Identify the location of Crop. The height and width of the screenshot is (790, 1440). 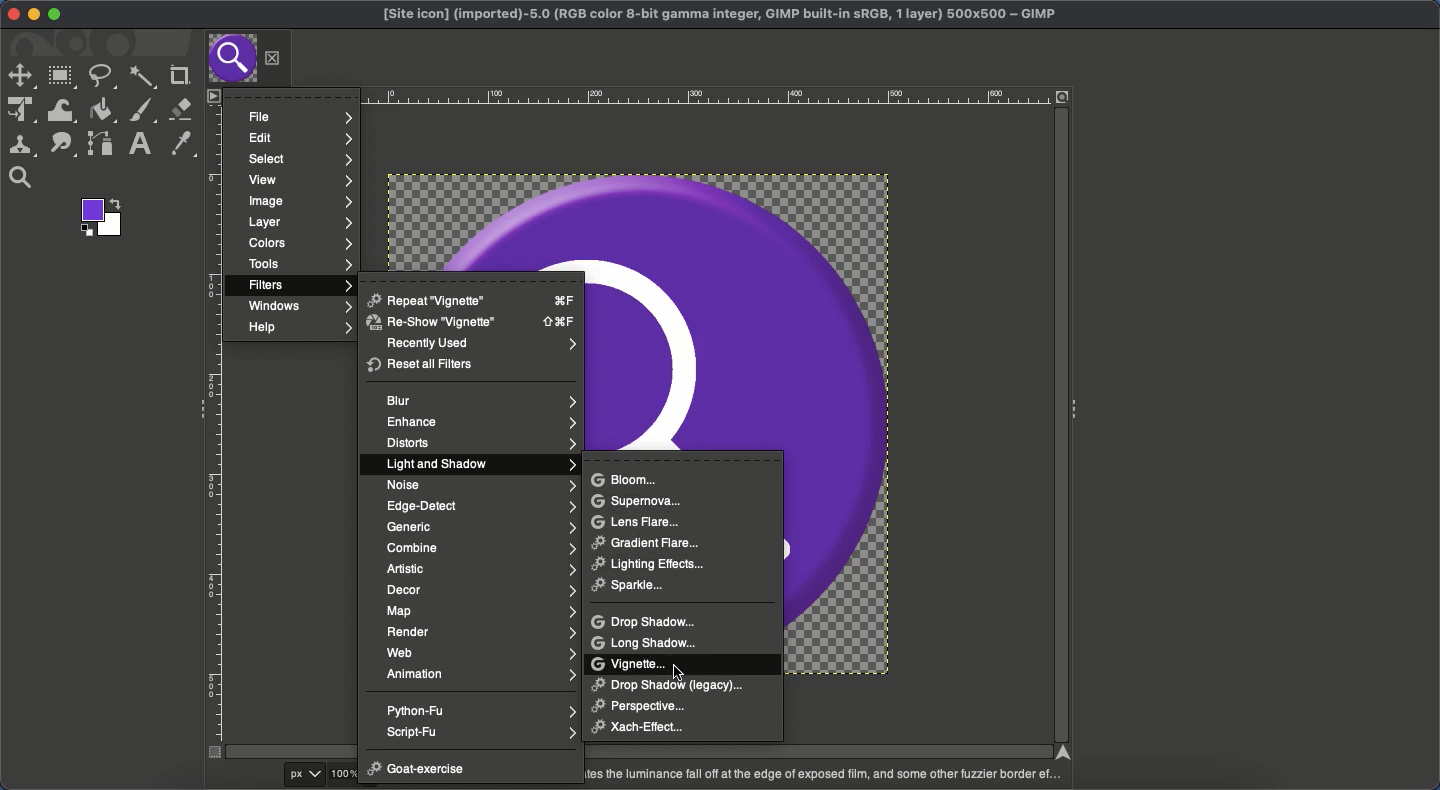
(177, 76).